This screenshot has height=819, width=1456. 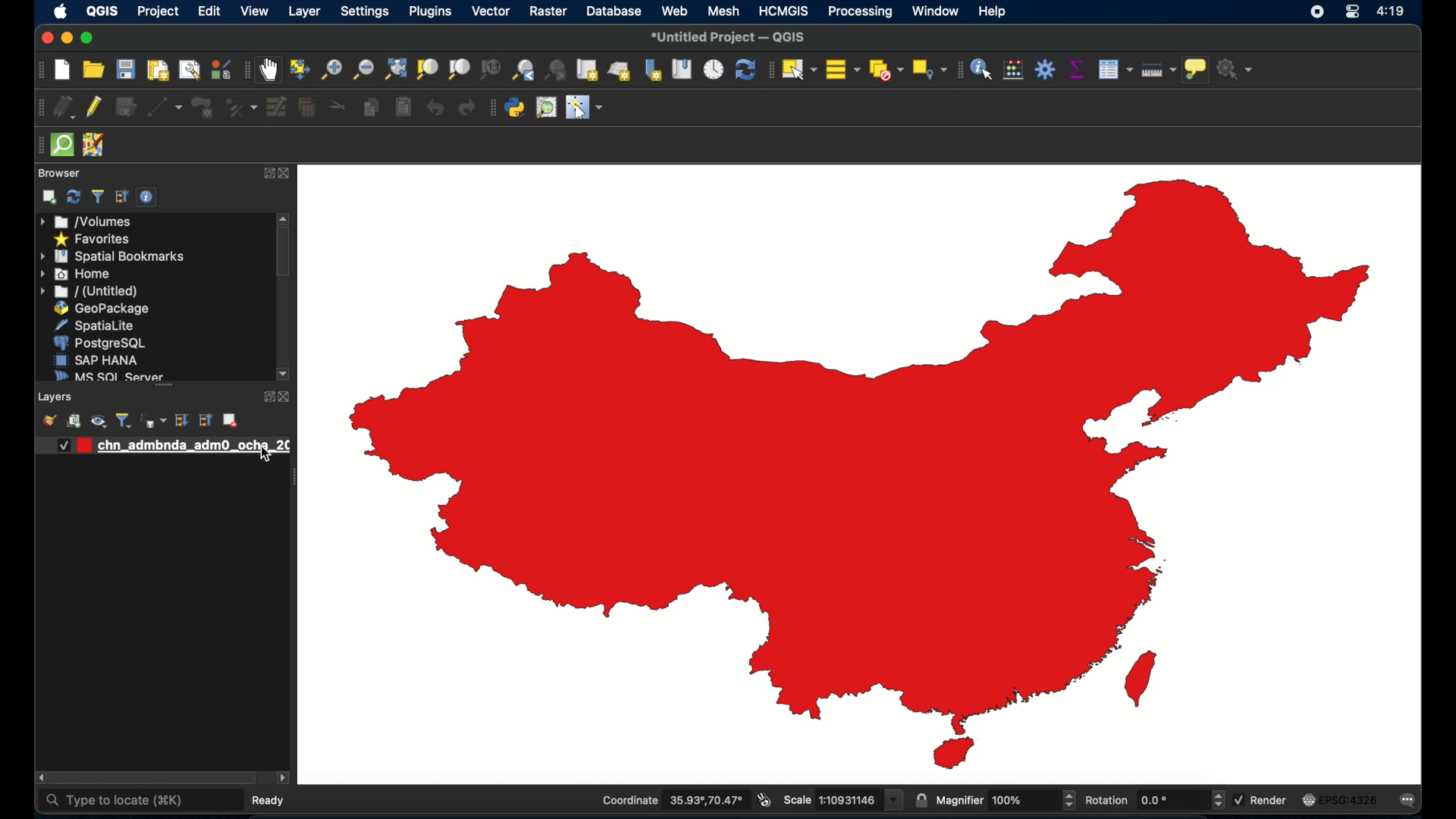 What do you see at coordinates (38, 778) in the screenshot?
I see `scroll right` at bounding box center [38, 778].